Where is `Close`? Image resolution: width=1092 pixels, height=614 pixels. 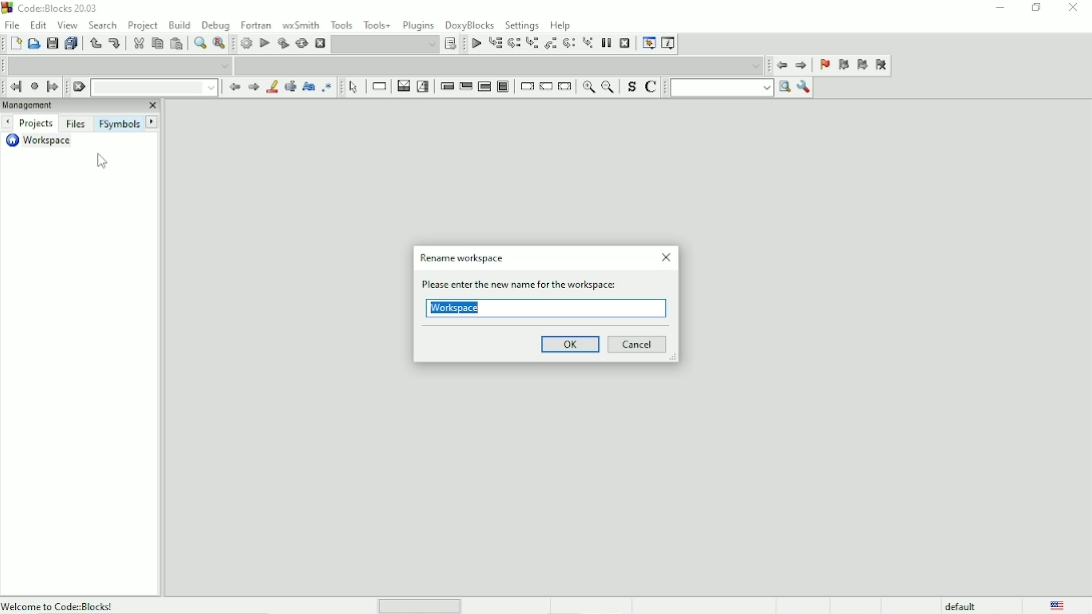
Close is located at coordinates (1075, 8).